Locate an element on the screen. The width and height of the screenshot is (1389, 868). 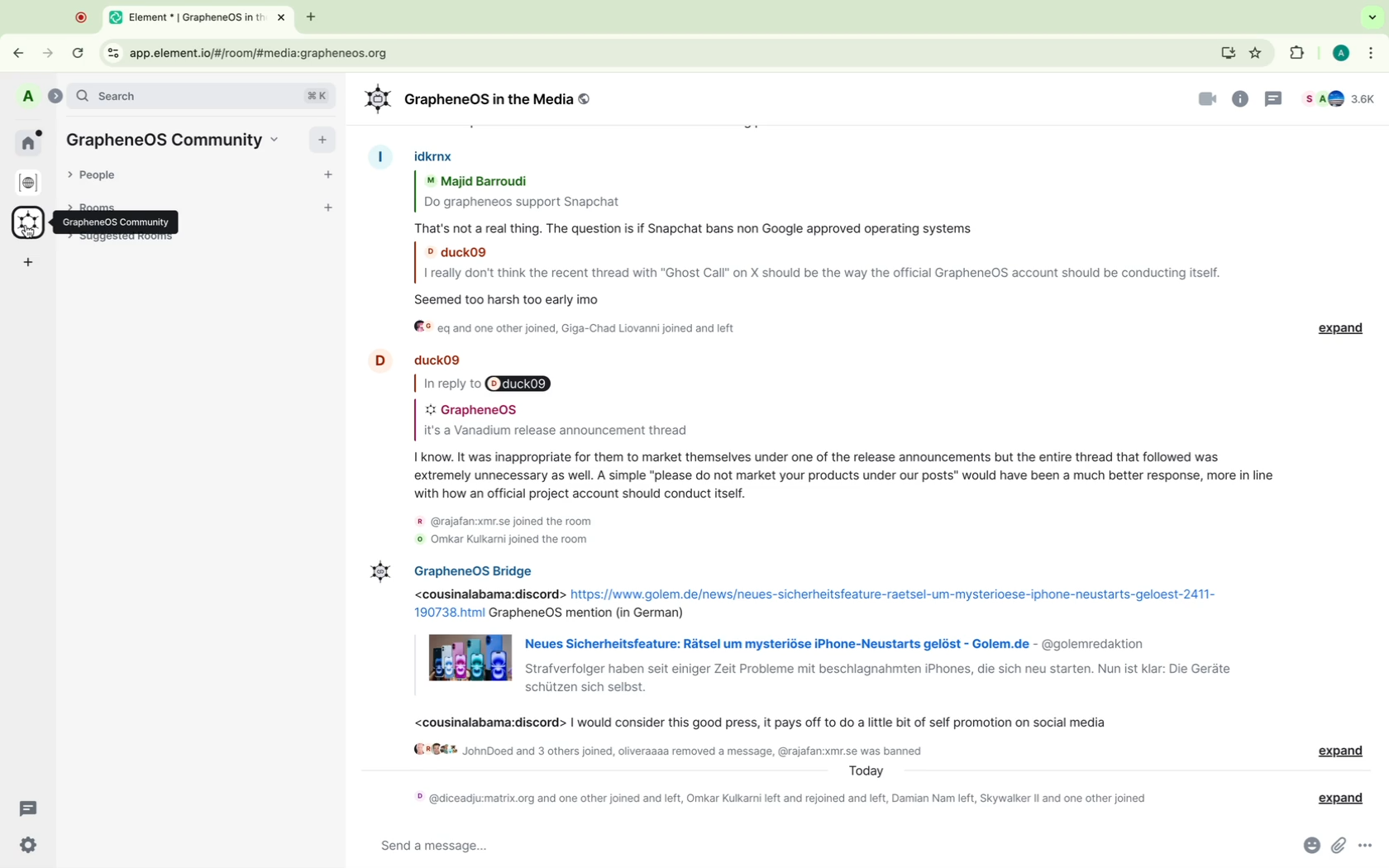
JohnDoed and 3 others joined, oliveraaaa removed a message @rajafan:xmr.se was banned is located at coordinates (670, 748).